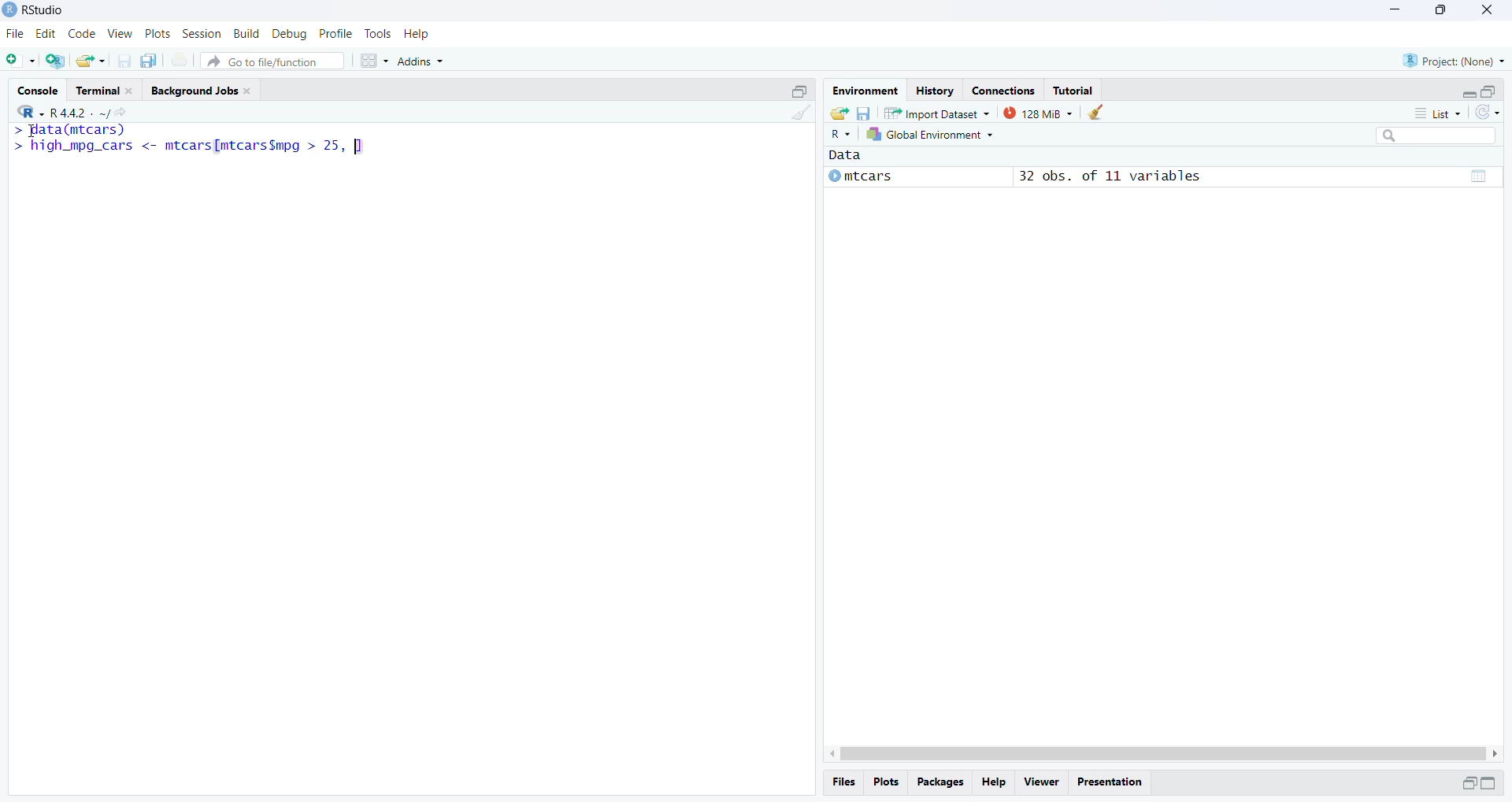  What do you see at coordinates (38, 89) in the screenshot?
I see `Console` at bounding box center [38, 89].